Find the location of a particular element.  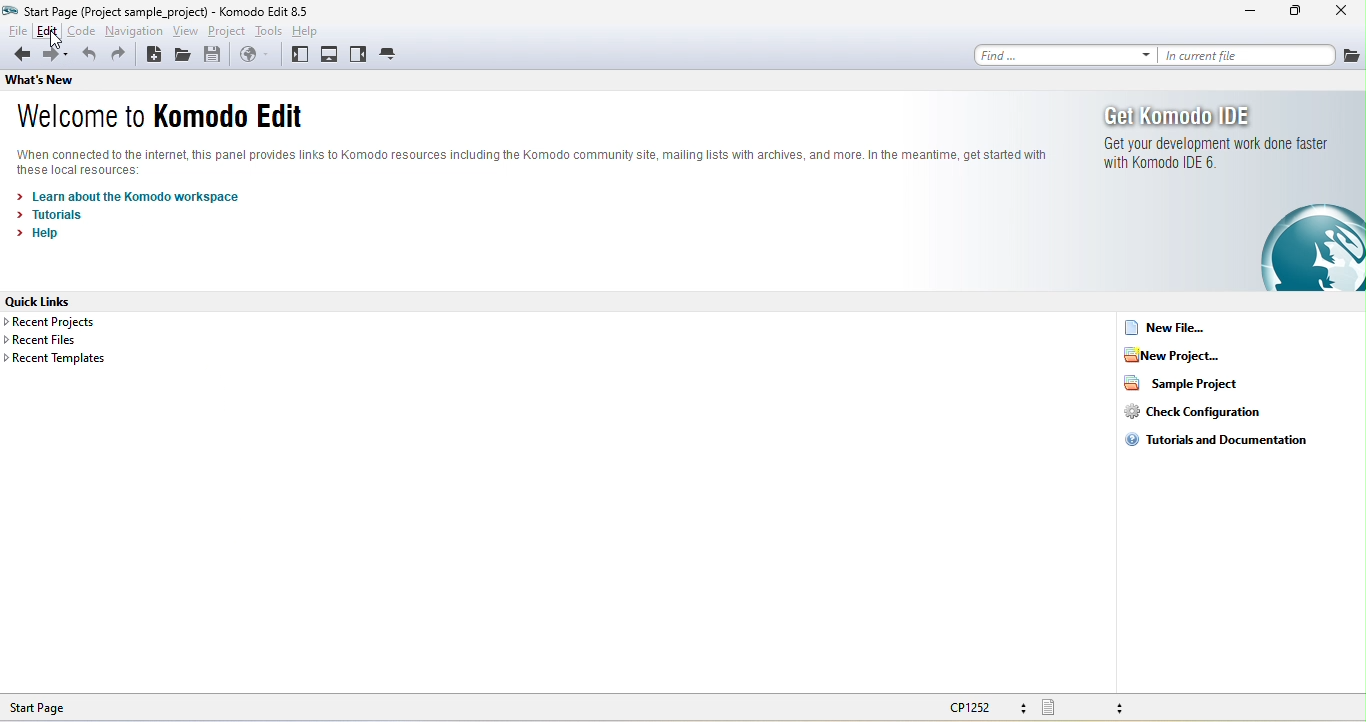

bottom pane is located at coordinates (331, 55).